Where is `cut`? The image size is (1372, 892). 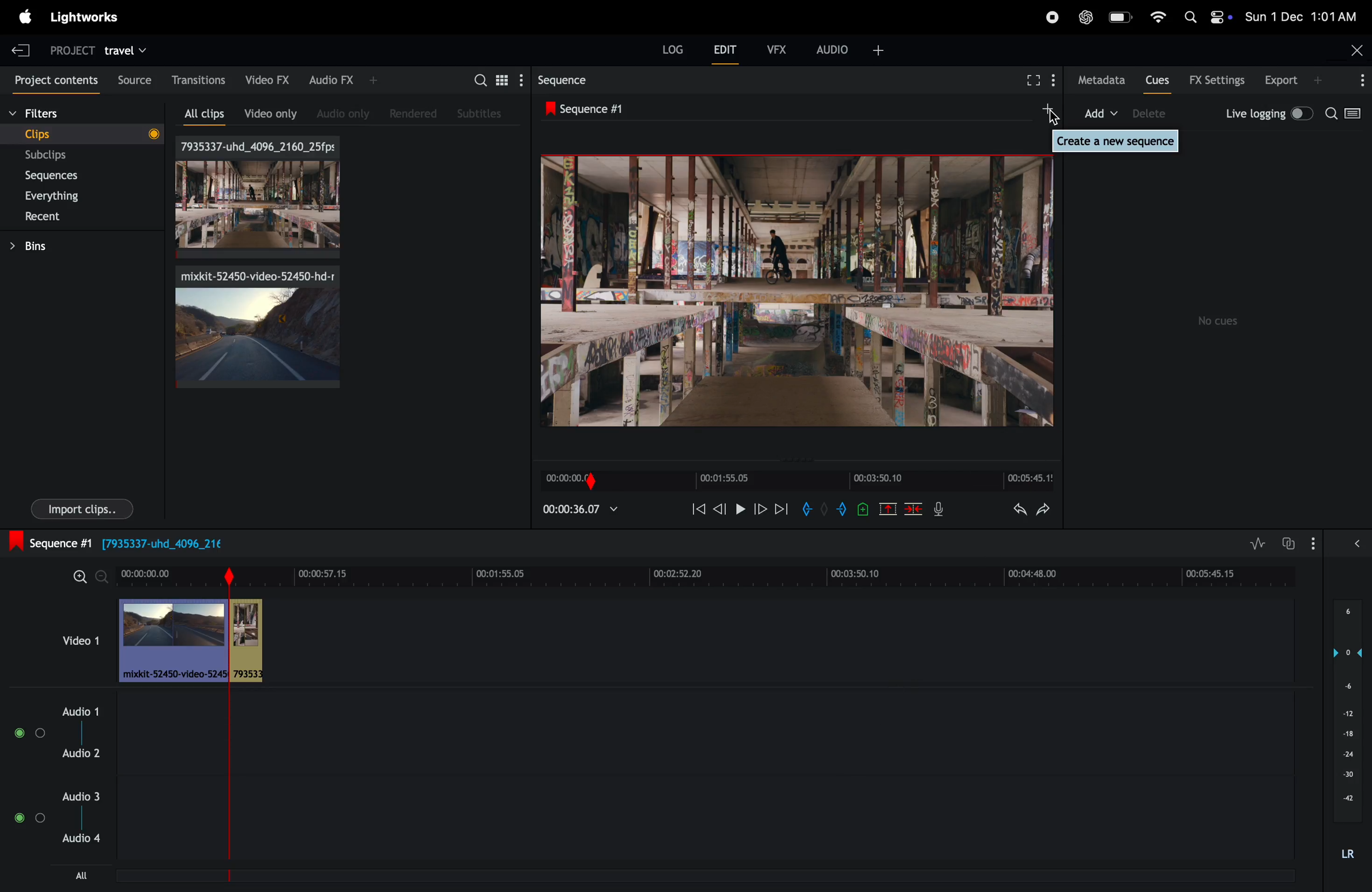 cut is located at coordinates (888, 508).